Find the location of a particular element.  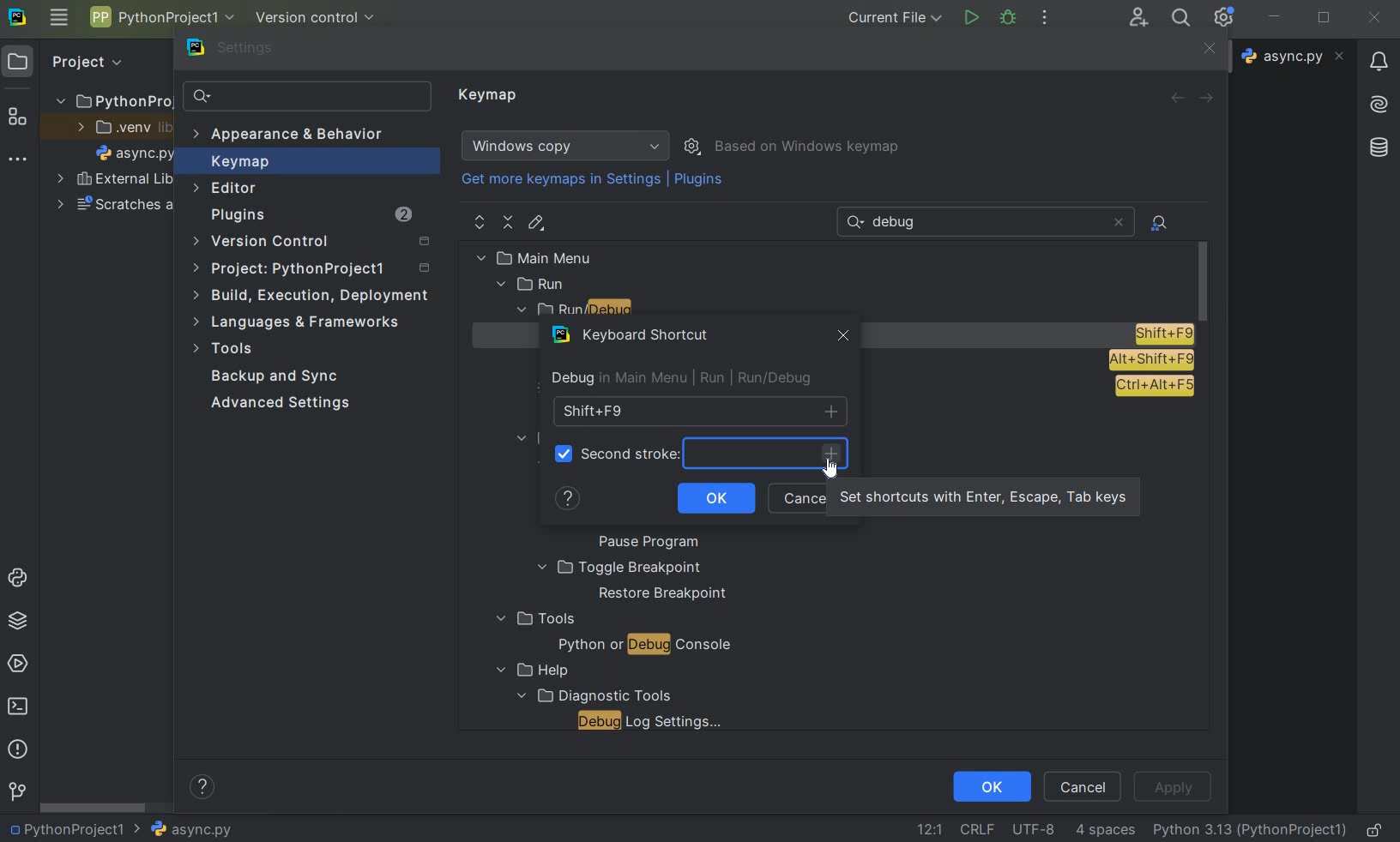

external libraries is located at coordinates (115, 181).